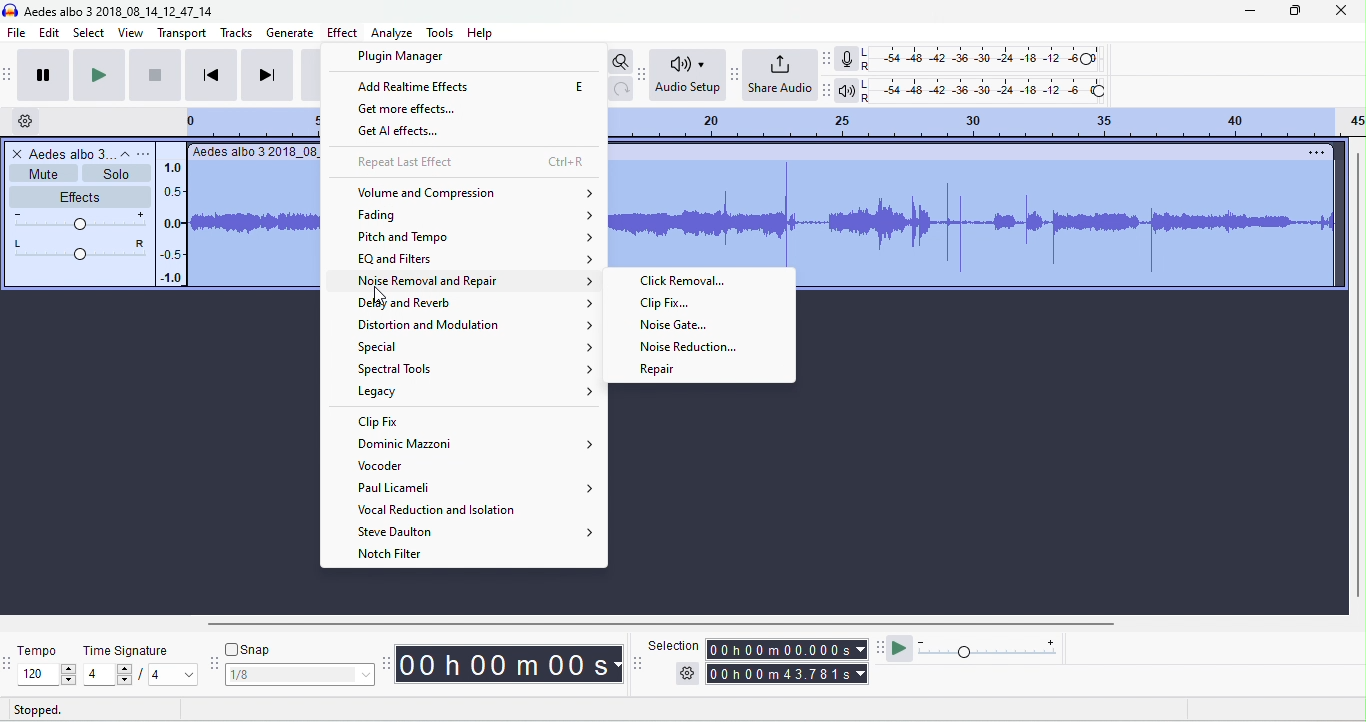  Describe the element at coordinates (400, 555) in the screenshot. I see `notch filter` at that location.